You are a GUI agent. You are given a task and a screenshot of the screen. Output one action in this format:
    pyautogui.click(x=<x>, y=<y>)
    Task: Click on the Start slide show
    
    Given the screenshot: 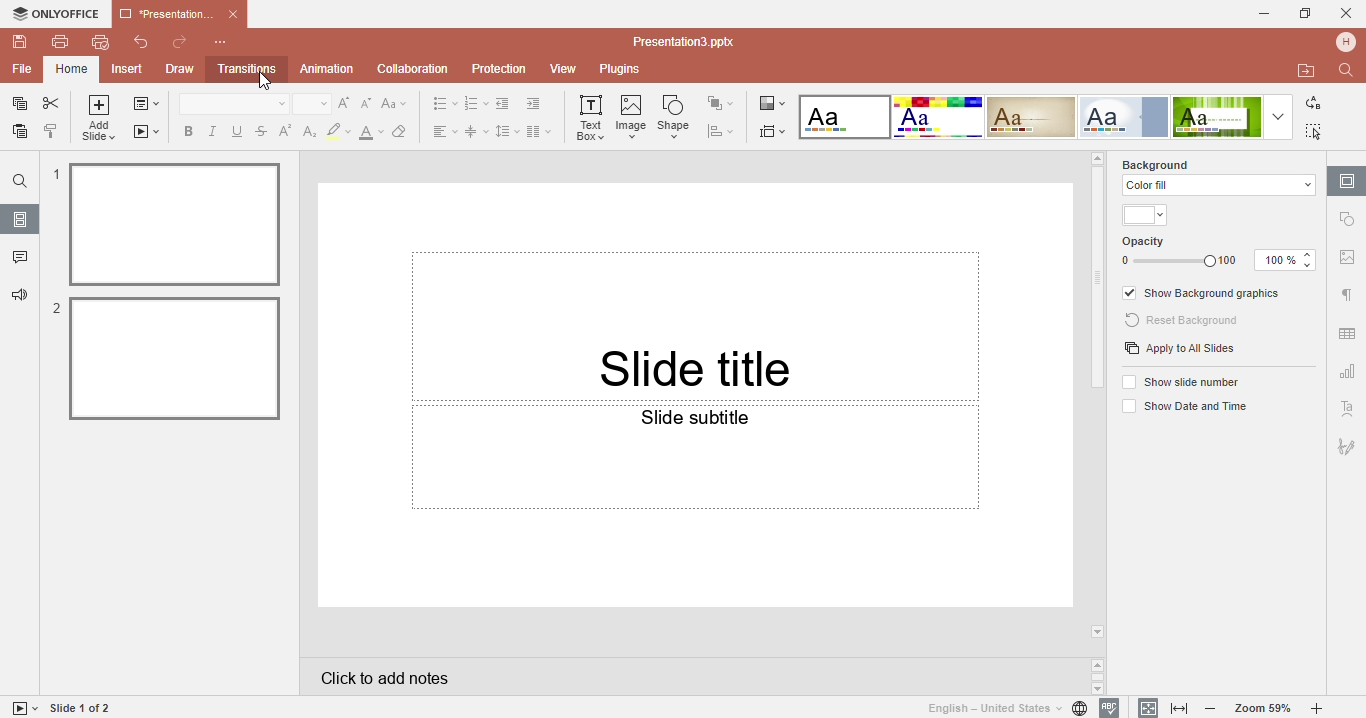 What is the action you would take?
    pyautogui.click(x=21, y=708)
    